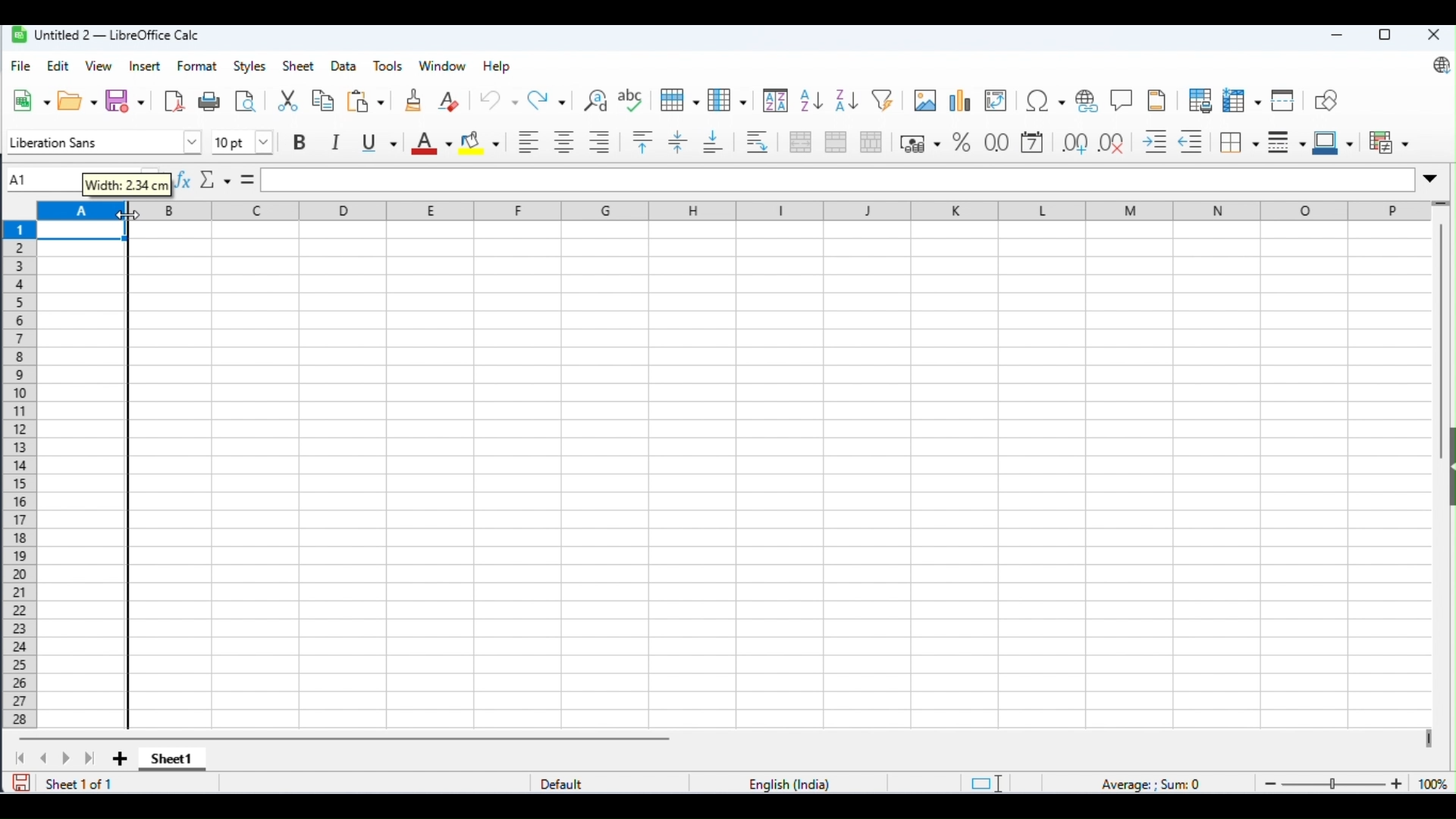 Image resolution: width=1456 pixels, height=819 pixels. What do you see at coordinates (499, 99) in the screenshot?
I see `undo` at bounding box center [499, 99].